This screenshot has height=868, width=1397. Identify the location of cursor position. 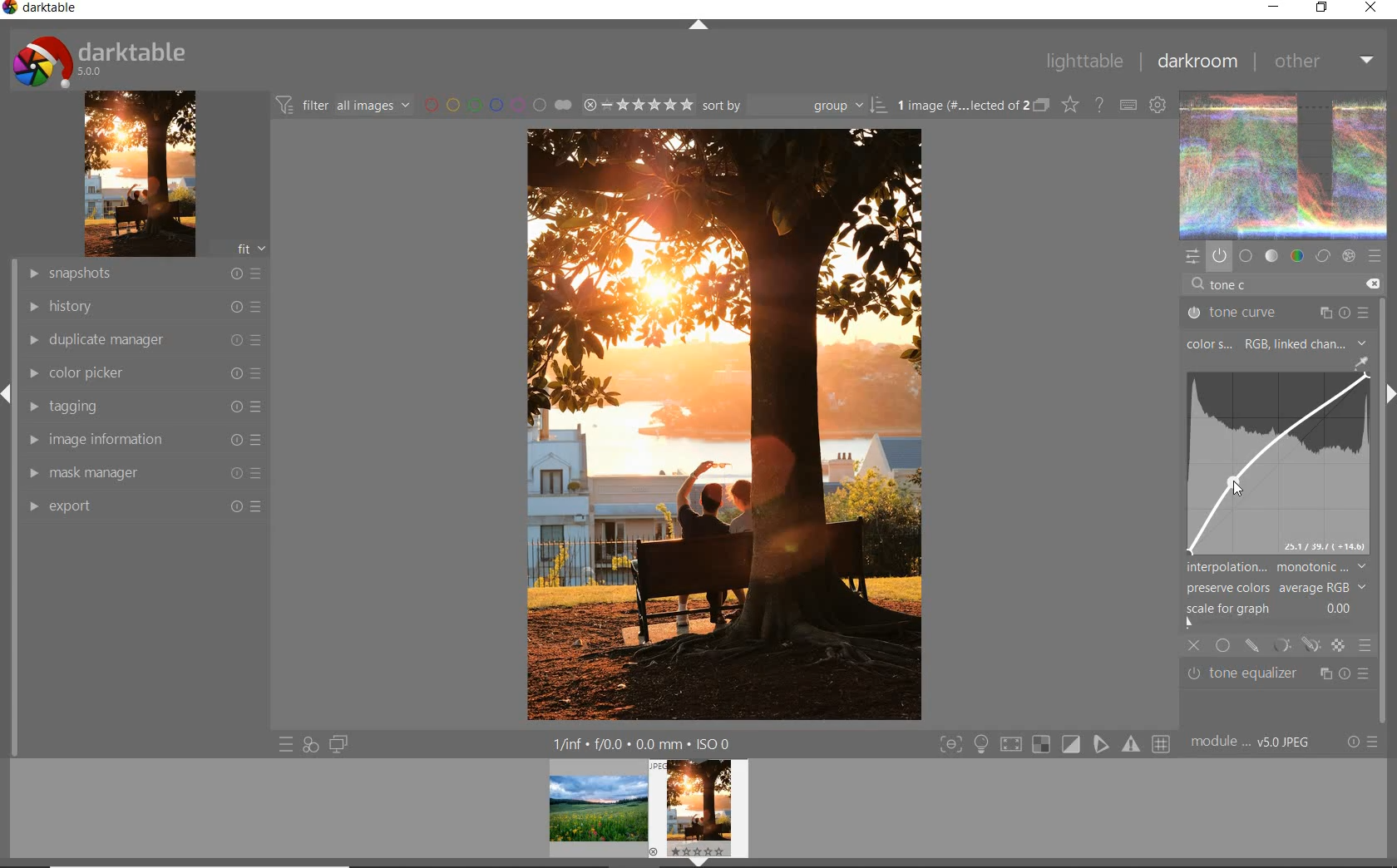
(1234, 484).